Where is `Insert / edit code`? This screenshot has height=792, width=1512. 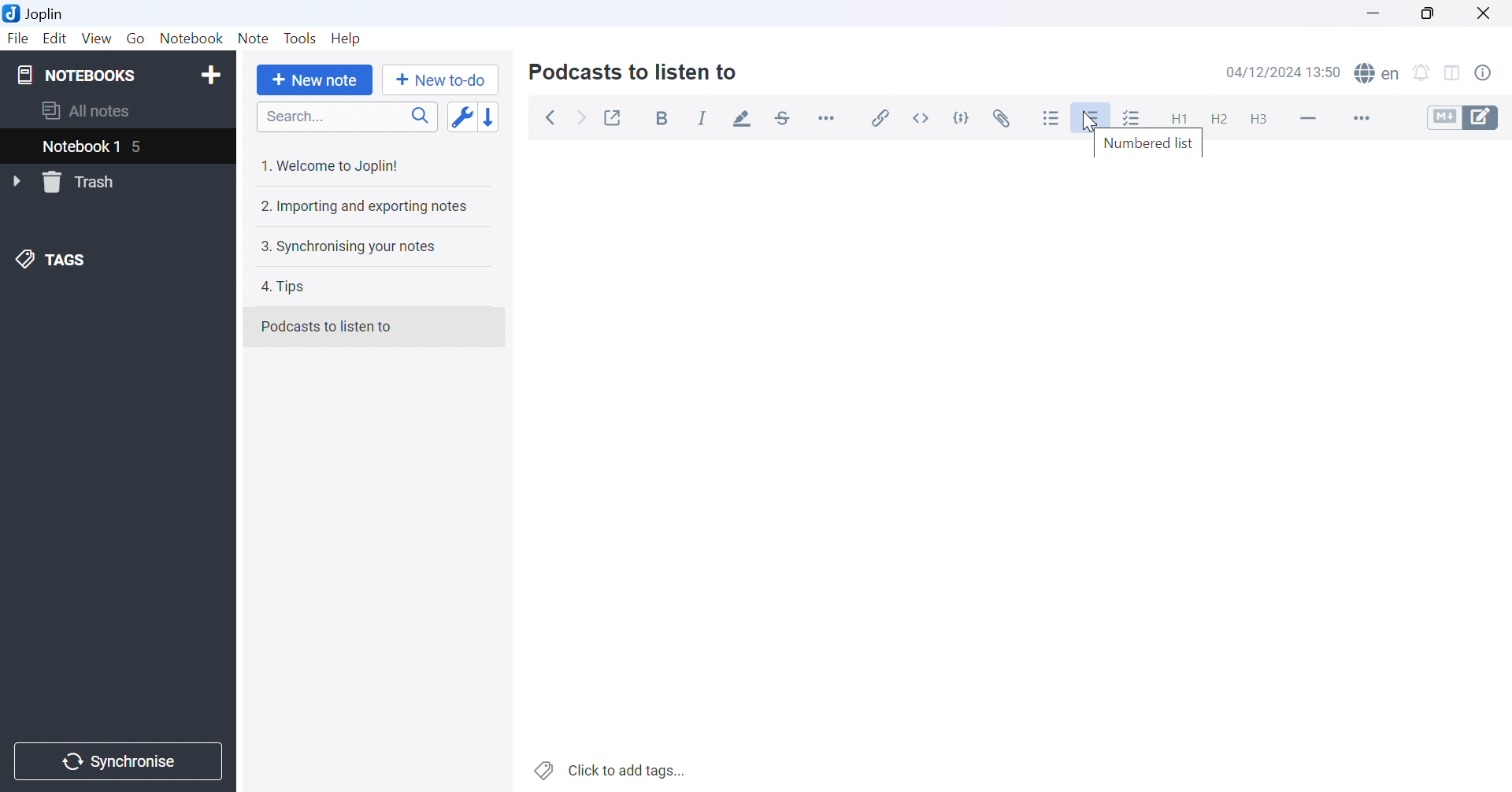
Insert / edit code is located at coordinates (881, 114).